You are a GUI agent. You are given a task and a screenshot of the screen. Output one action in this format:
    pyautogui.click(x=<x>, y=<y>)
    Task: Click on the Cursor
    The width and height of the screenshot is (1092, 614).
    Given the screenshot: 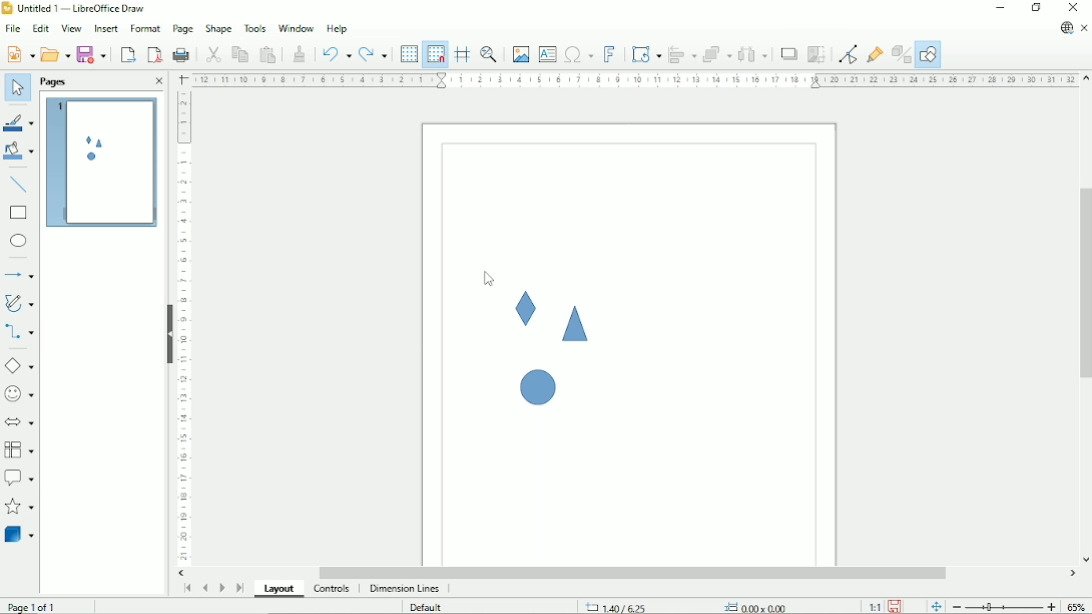 What is the action you would take?
    pyautogui.click(x=489, y=281)
    